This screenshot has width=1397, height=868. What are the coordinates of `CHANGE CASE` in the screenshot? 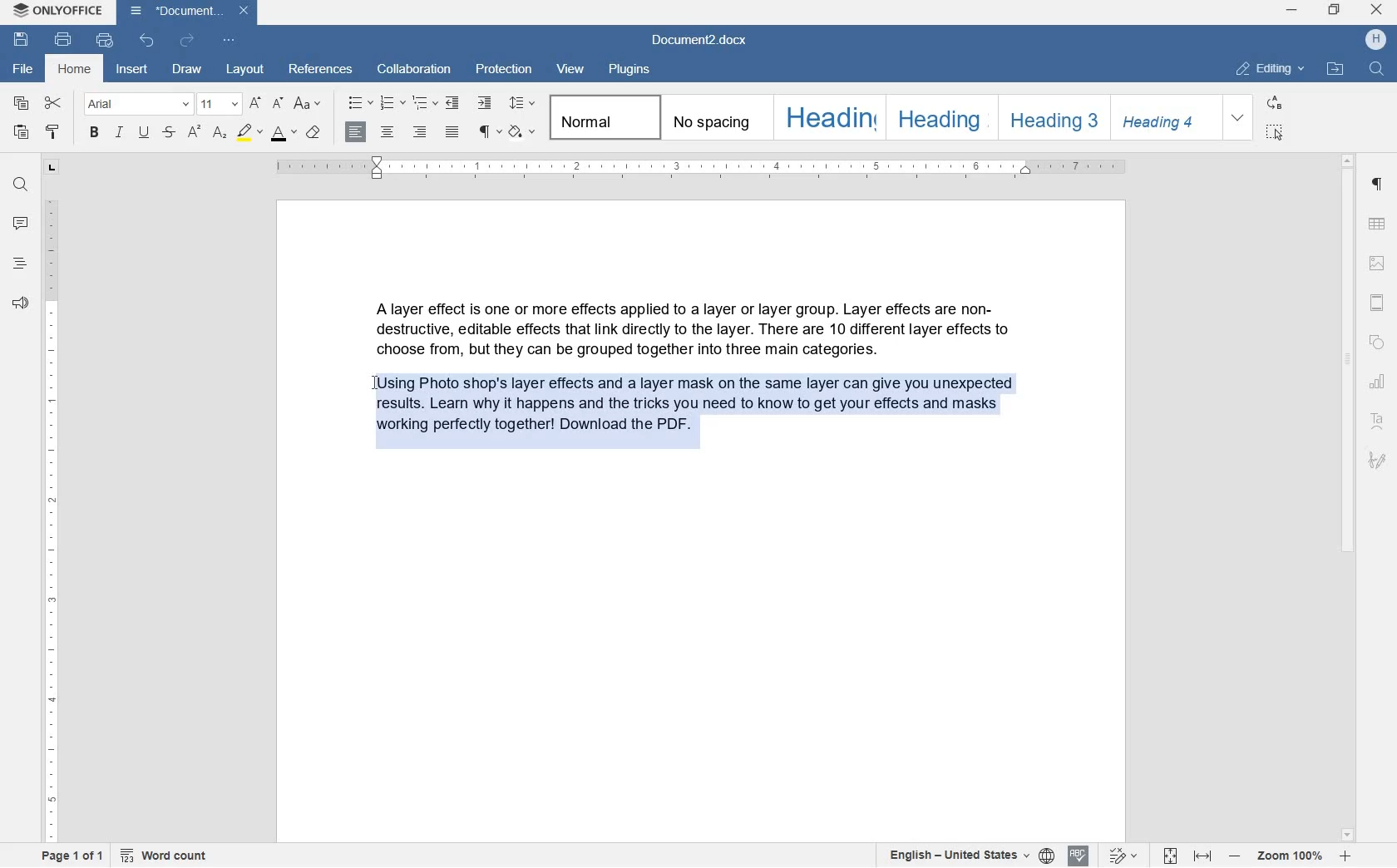 It's located at (310, 104).